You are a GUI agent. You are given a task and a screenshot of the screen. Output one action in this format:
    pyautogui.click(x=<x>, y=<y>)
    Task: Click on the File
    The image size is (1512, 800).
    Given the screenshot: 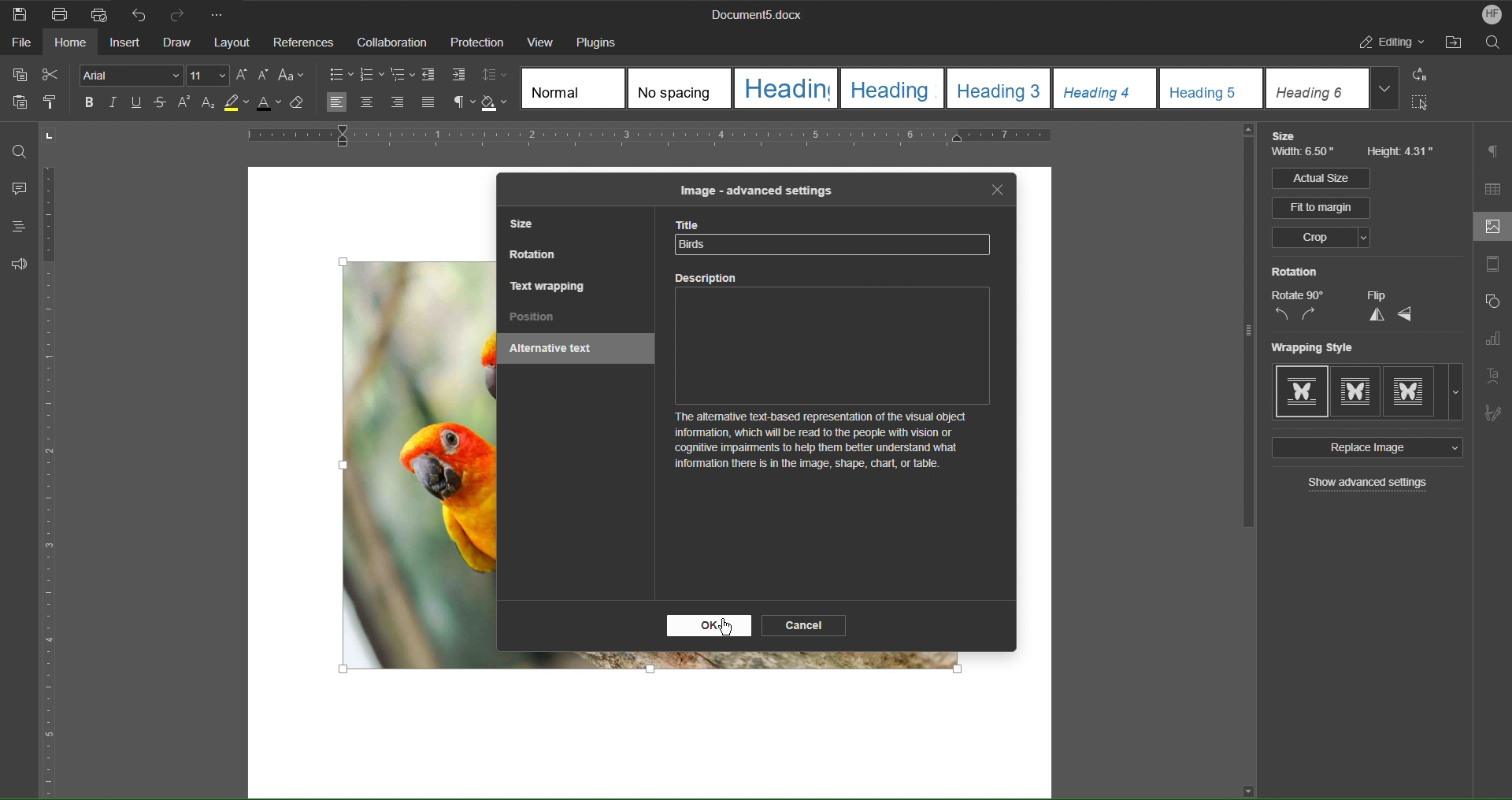 What is the action you would take?
    pyautogui.click(x=17, y=45)
    